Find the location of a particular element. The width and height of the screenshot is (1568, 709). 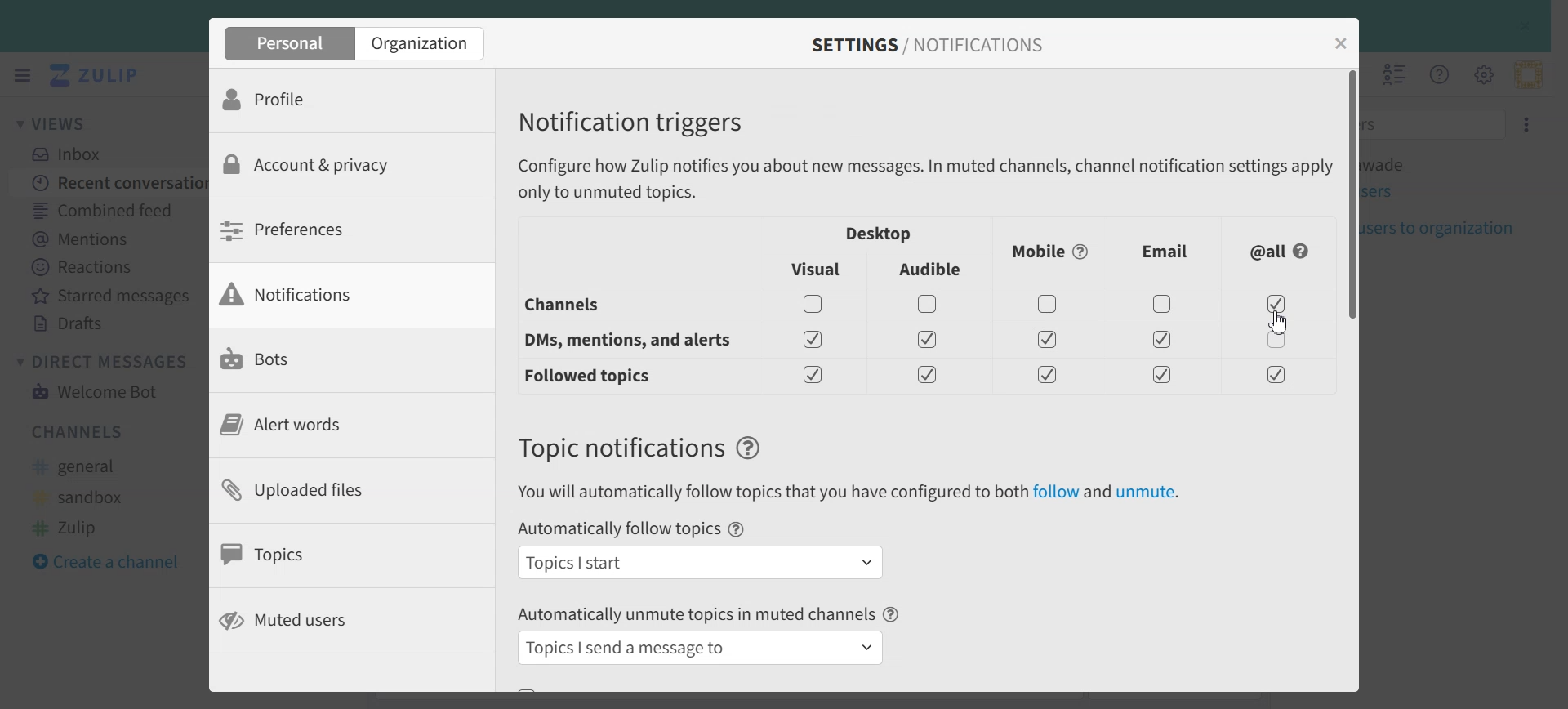

All is located at coordinates (1281, 252).